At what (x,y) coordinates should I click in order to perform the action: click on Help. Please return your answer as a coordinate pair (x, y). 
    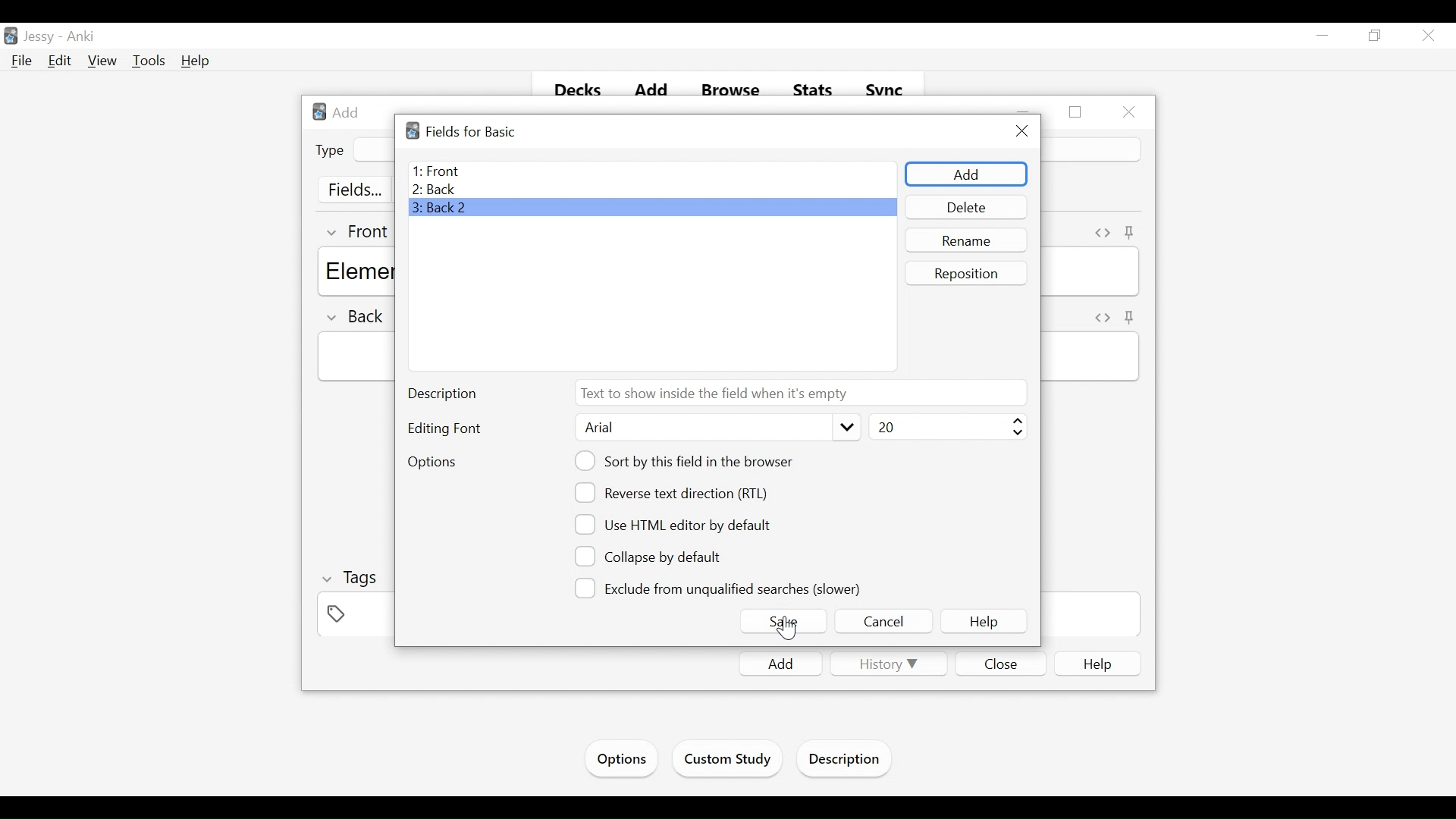
    Looking at the image, I should click on (196, 61).